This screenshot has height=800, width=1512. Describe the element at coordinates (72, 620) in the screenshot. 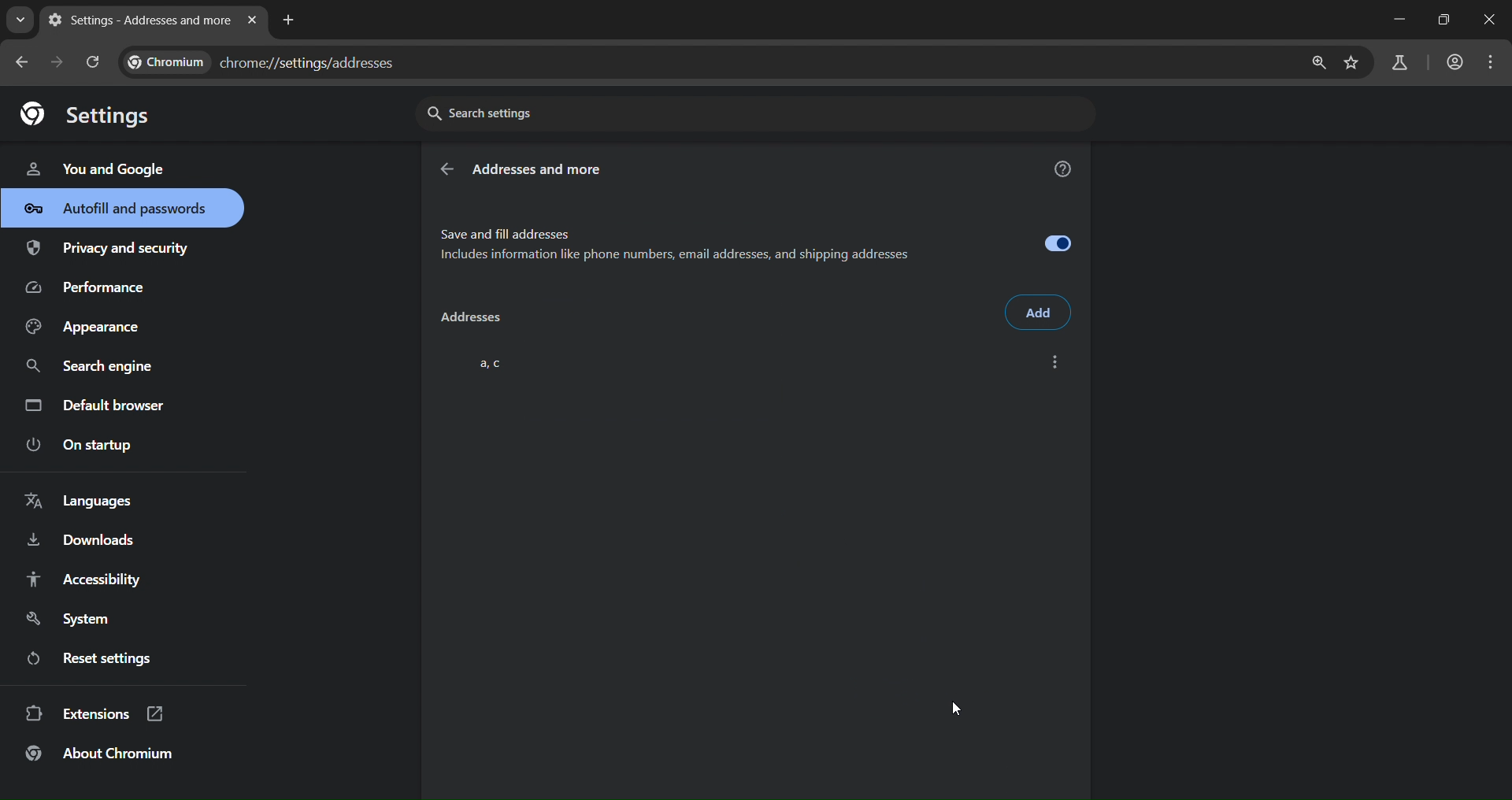

I see `system` at that location.